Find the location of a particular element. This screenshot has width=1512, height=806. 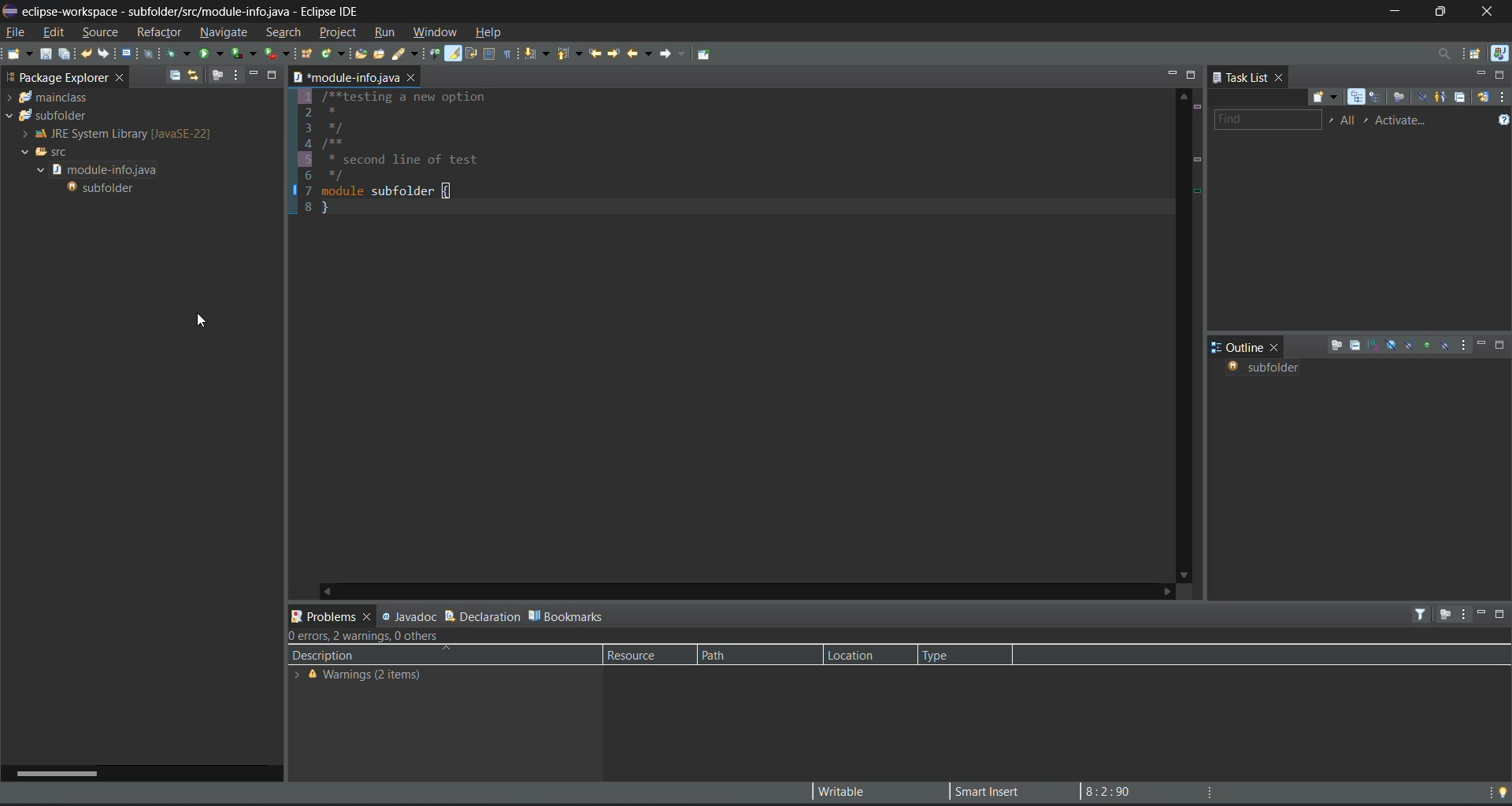

type is located at coordinates (950, 654).